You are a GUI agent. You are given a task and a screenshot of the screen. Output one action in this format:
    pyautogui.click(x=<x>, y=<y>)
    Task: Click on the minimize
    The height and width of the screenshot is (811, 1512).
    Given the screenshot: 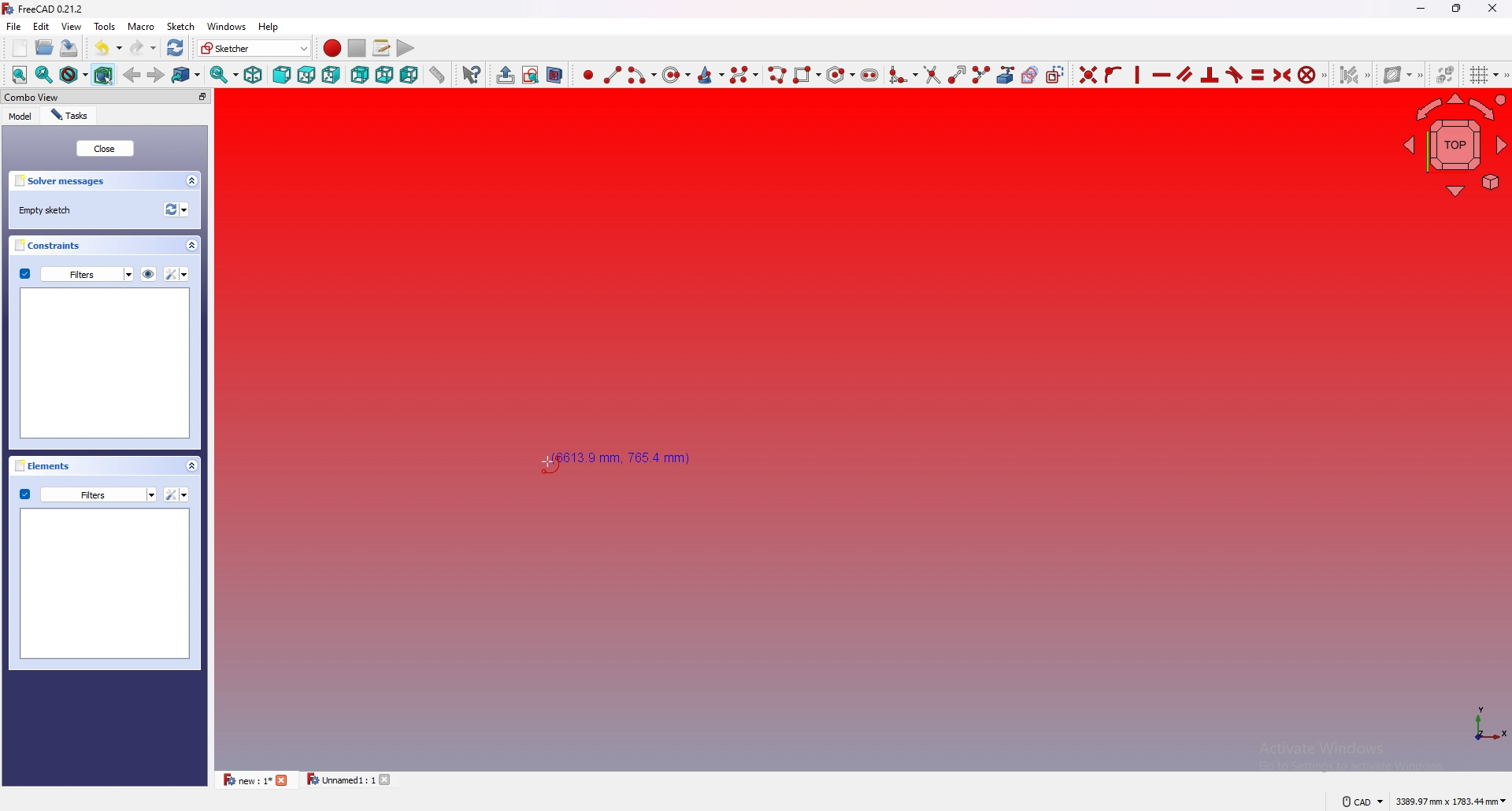 What is the action you would take?
    pyautogui.click(x=1421, y=9)
    